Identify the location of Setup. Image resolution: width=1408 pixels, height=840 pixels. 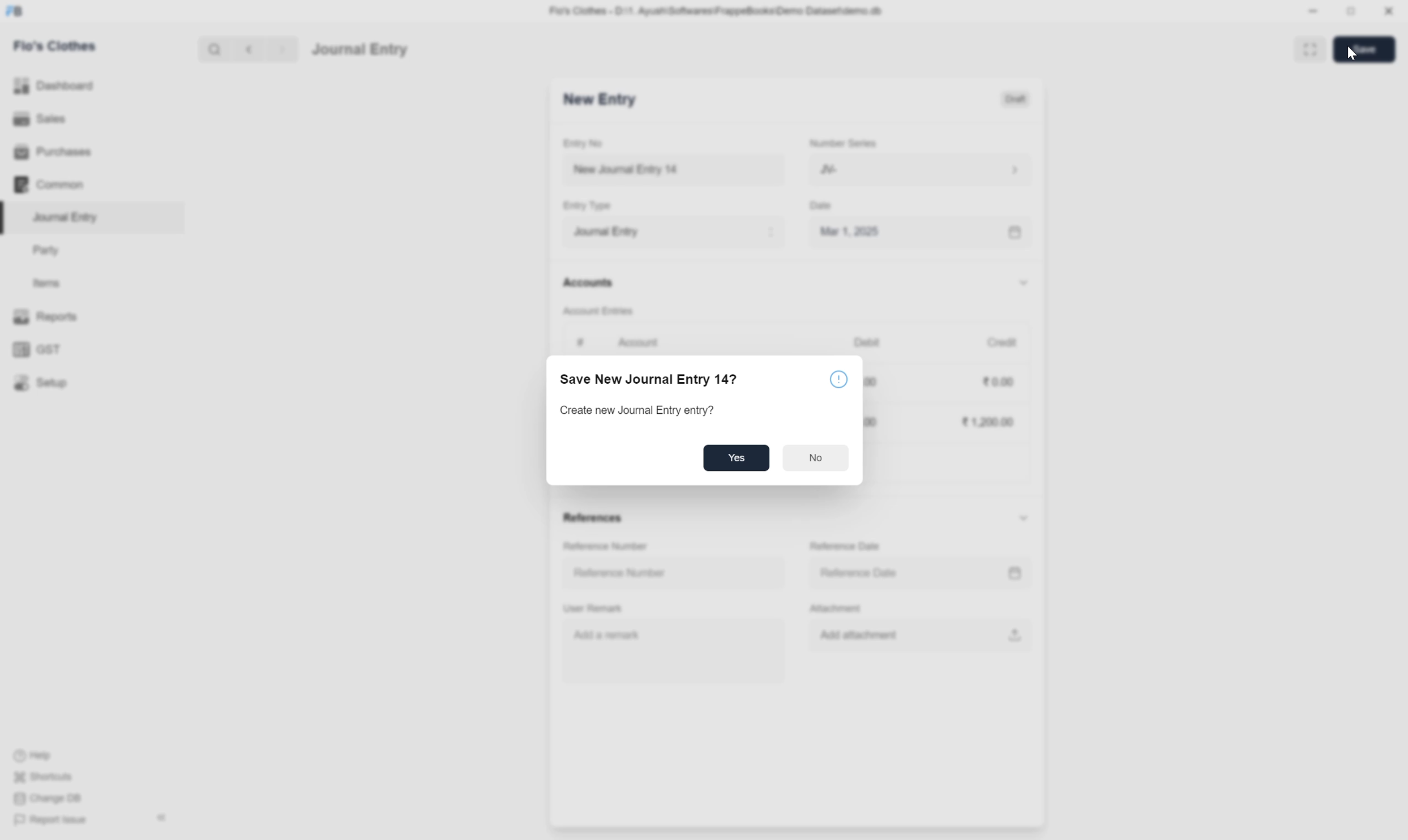
(41, 382).